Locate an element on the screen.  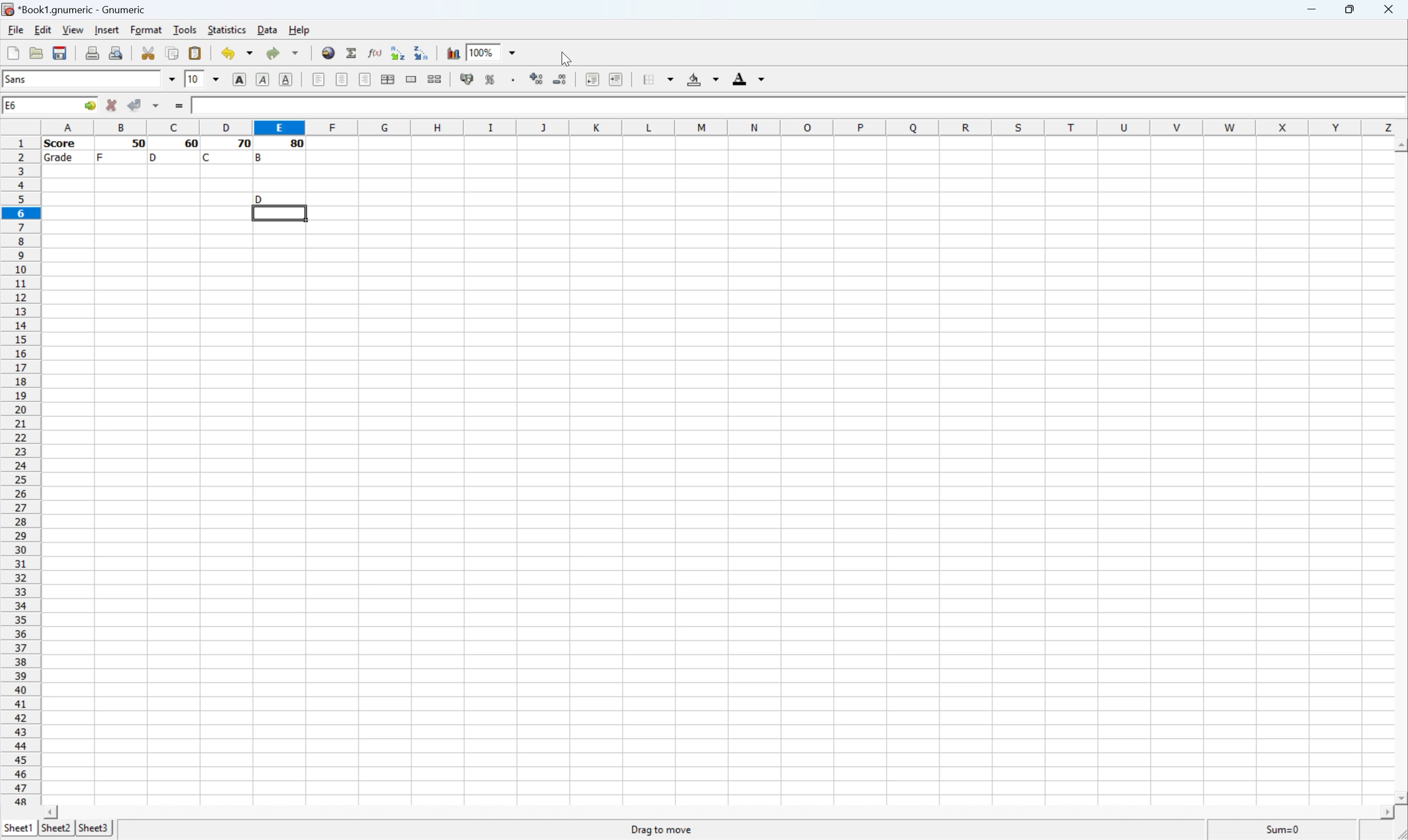
Statistics is located at coordinates (227, 28).